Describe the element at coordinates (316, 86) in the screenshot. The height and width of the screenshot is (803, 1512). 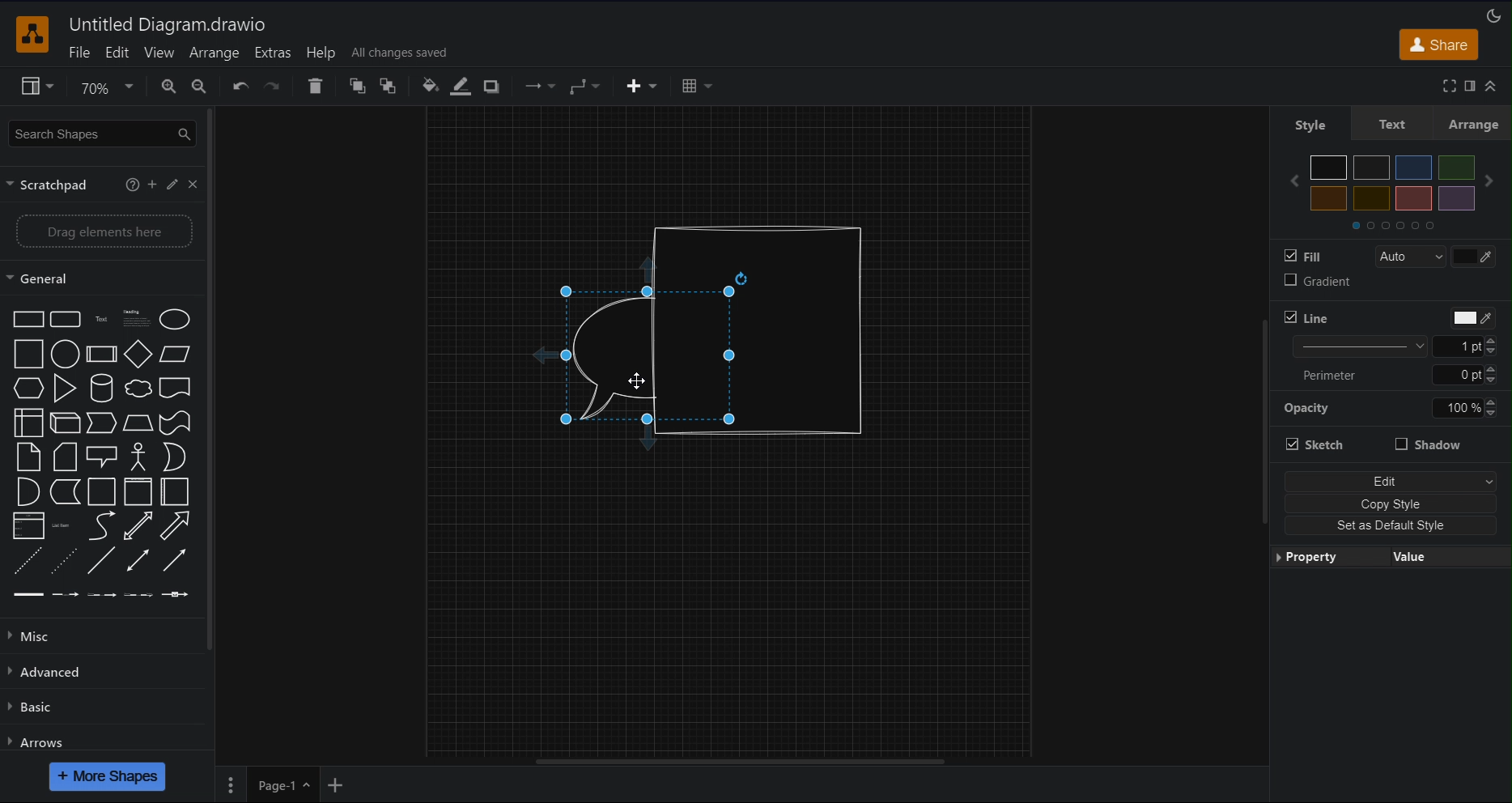
I see `Delete` at that location.